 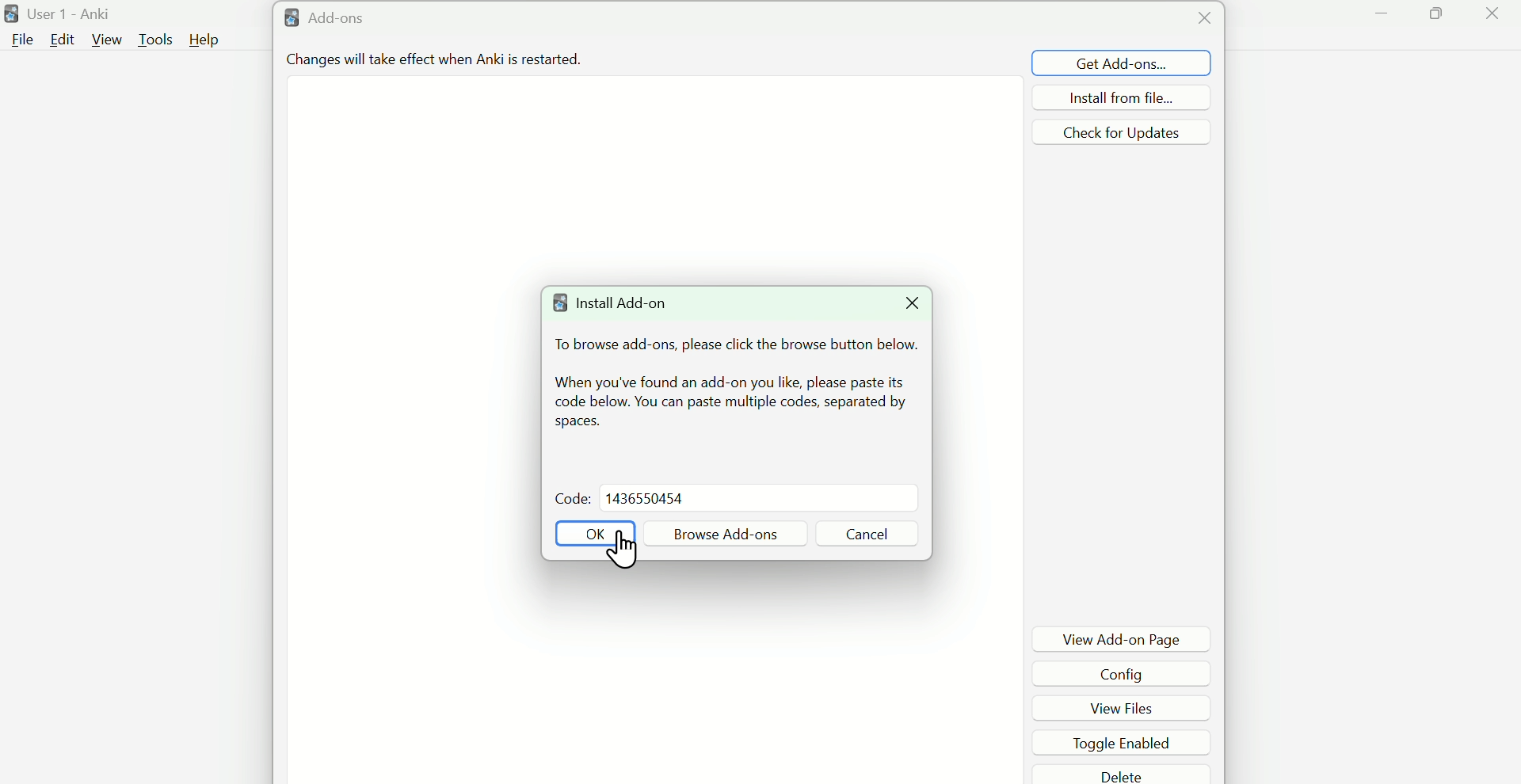 What do you see at coordinates (866, 534) in the screenshot?
I see `Cancel` at bounding box center [866, 534].